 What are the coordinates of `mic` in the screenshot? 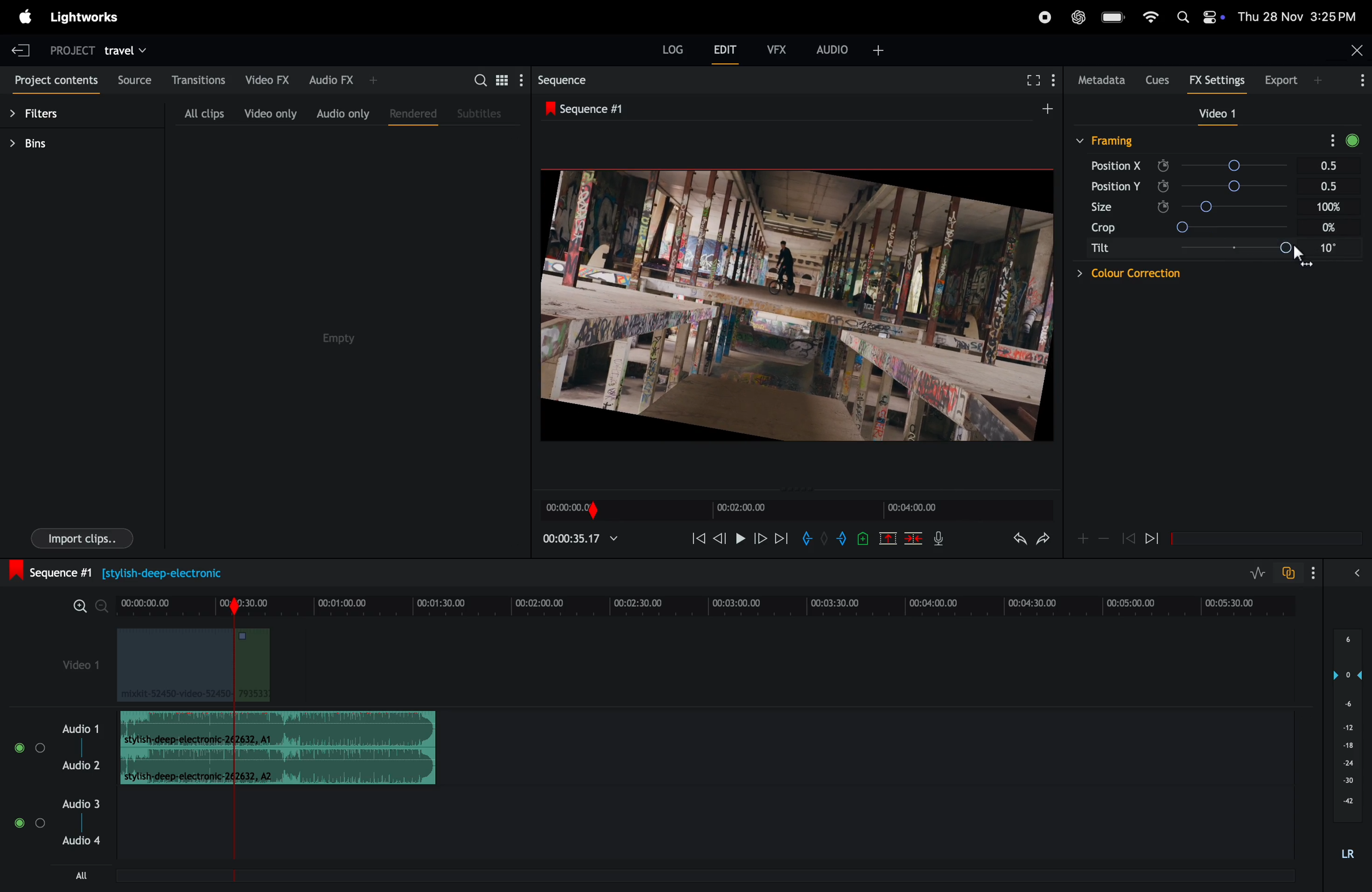 It's located at (939, 538).